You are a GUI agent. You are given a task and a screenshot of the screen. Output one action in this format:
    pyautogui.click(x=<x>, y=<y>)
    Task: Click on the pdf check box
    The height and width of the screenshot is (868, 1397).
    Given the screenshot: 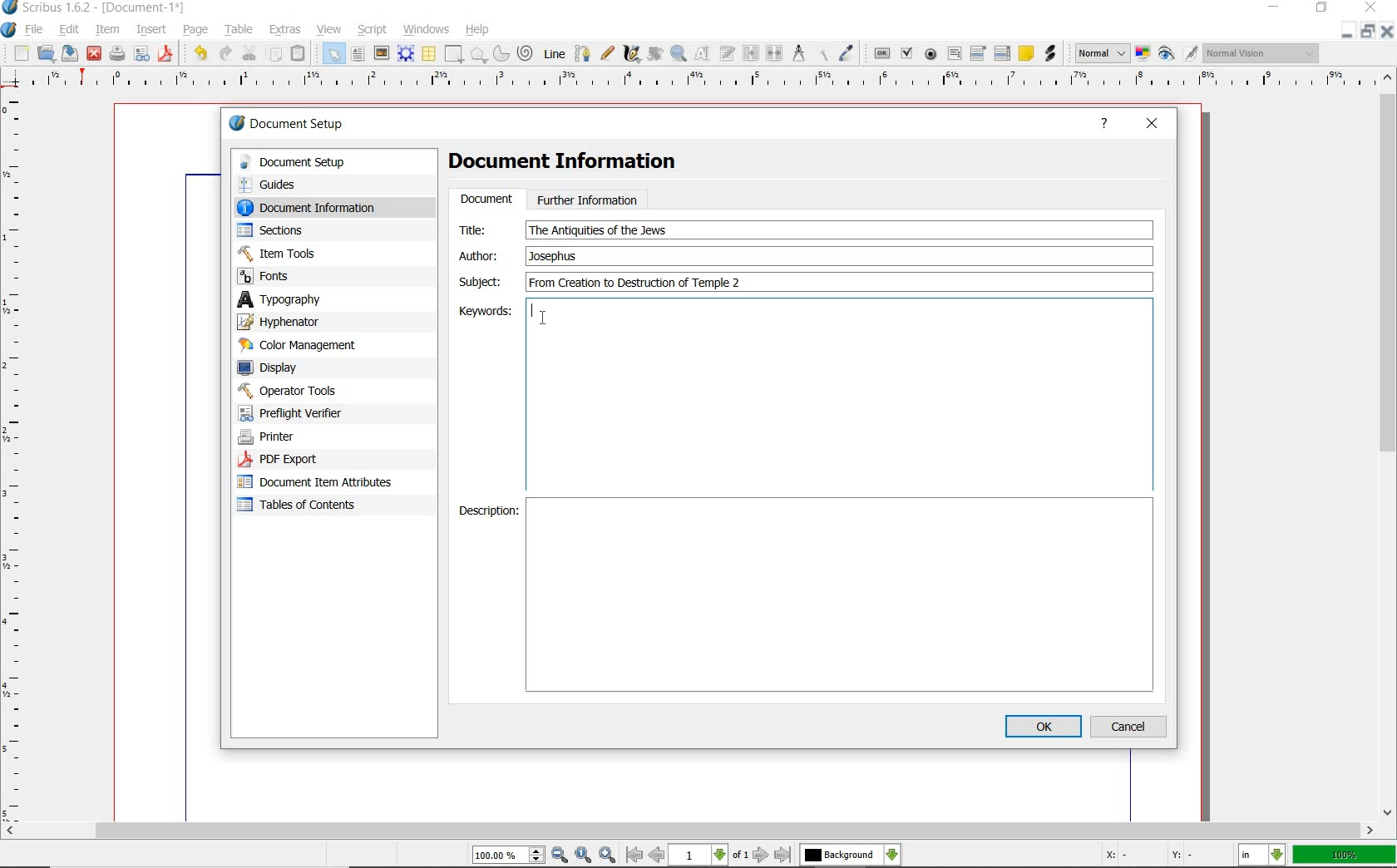 What is the action you would take?
    pyautogui.click(x=908, y=52)
    